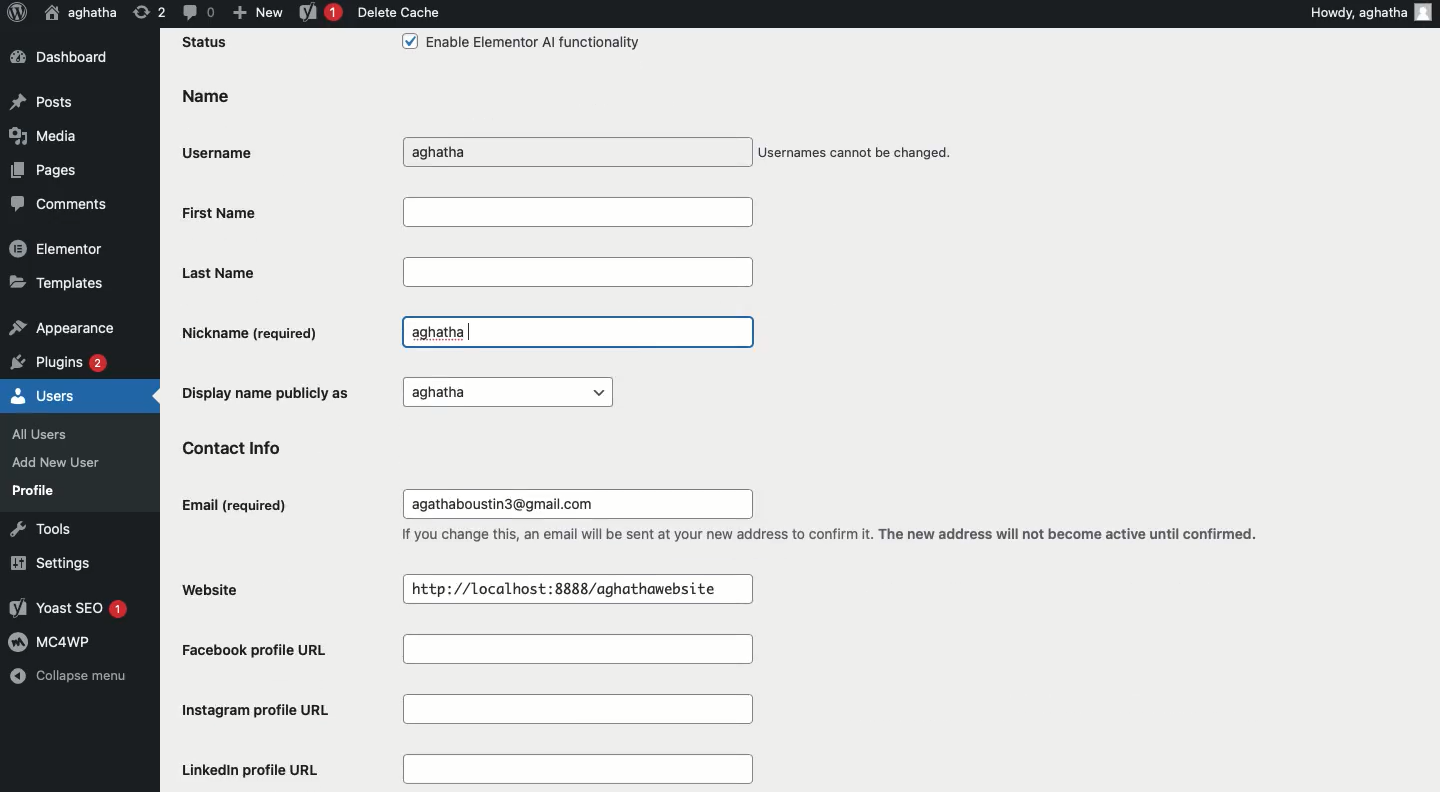  What do you see at coordinates (472, 152) in the screenshot?
I see `aghatha` at bounding box center [472, 152].